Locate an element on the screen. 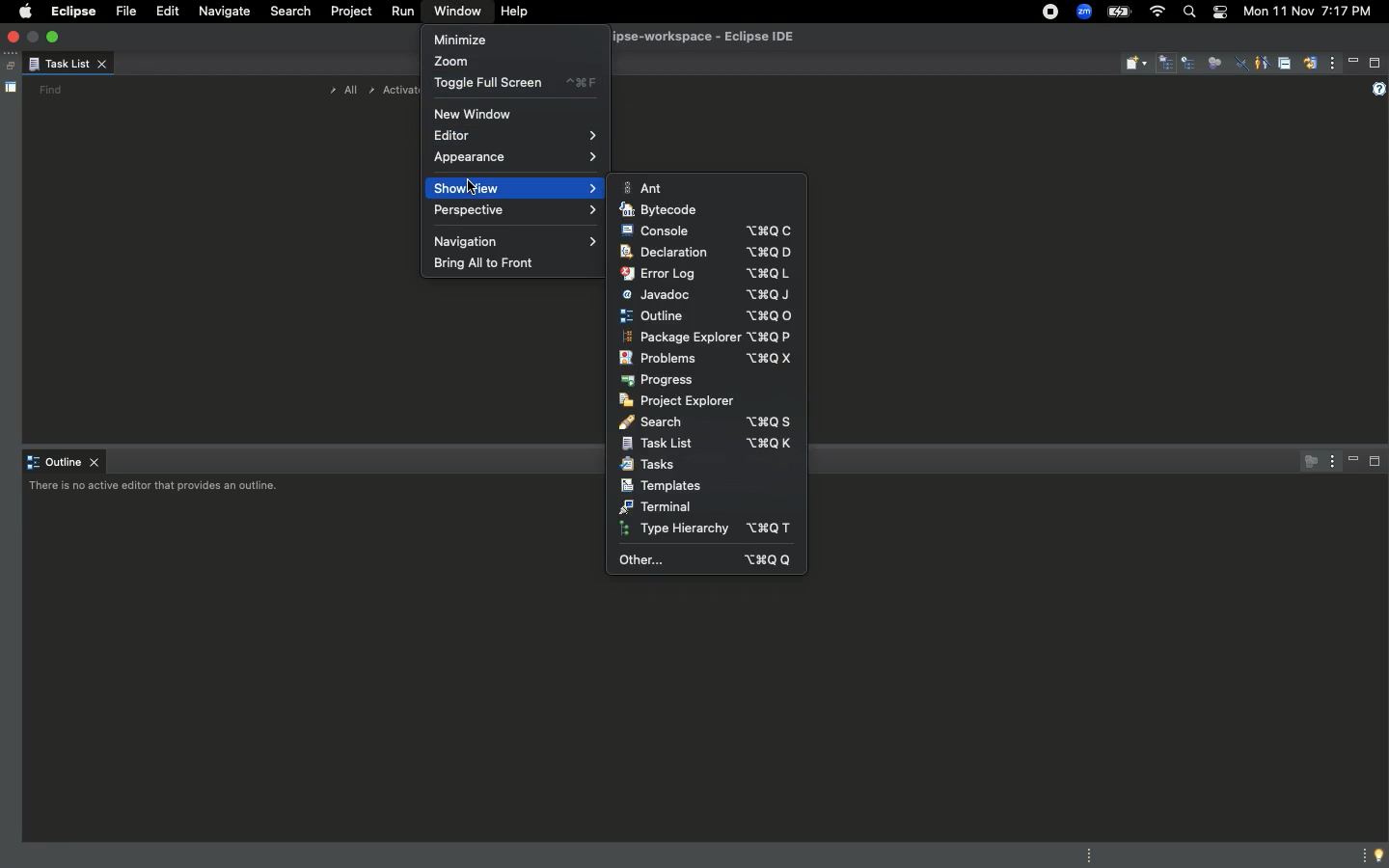  Tip of the day is located at coordinates (1380, 855).